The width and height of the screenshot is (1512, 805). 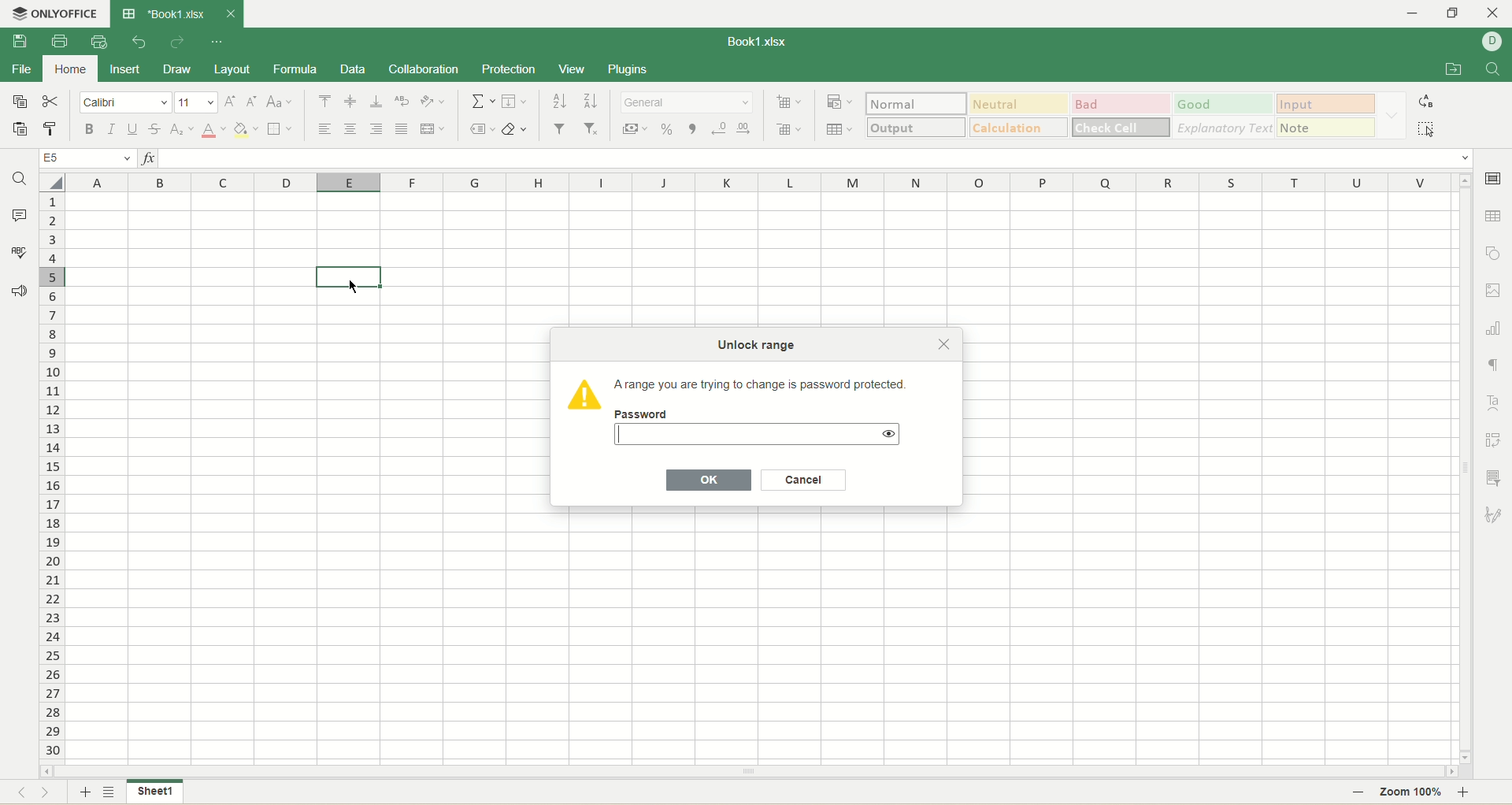 What do you see at coordinates (1412, 13) in the screenshot?
I see `minmize` at bounding box center [1412, 13].